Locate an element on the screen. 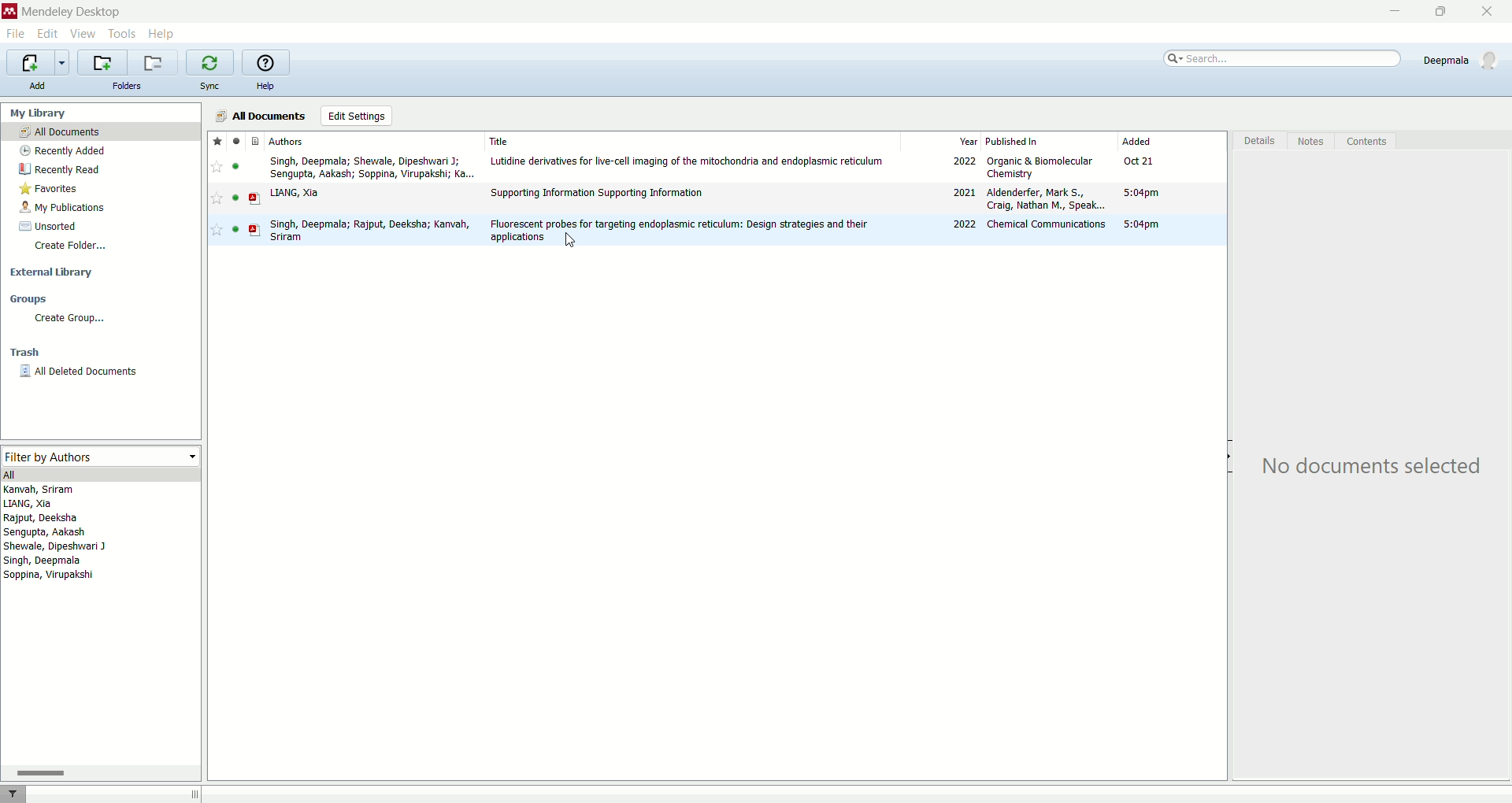  authors is located at coordinates (298, 142).